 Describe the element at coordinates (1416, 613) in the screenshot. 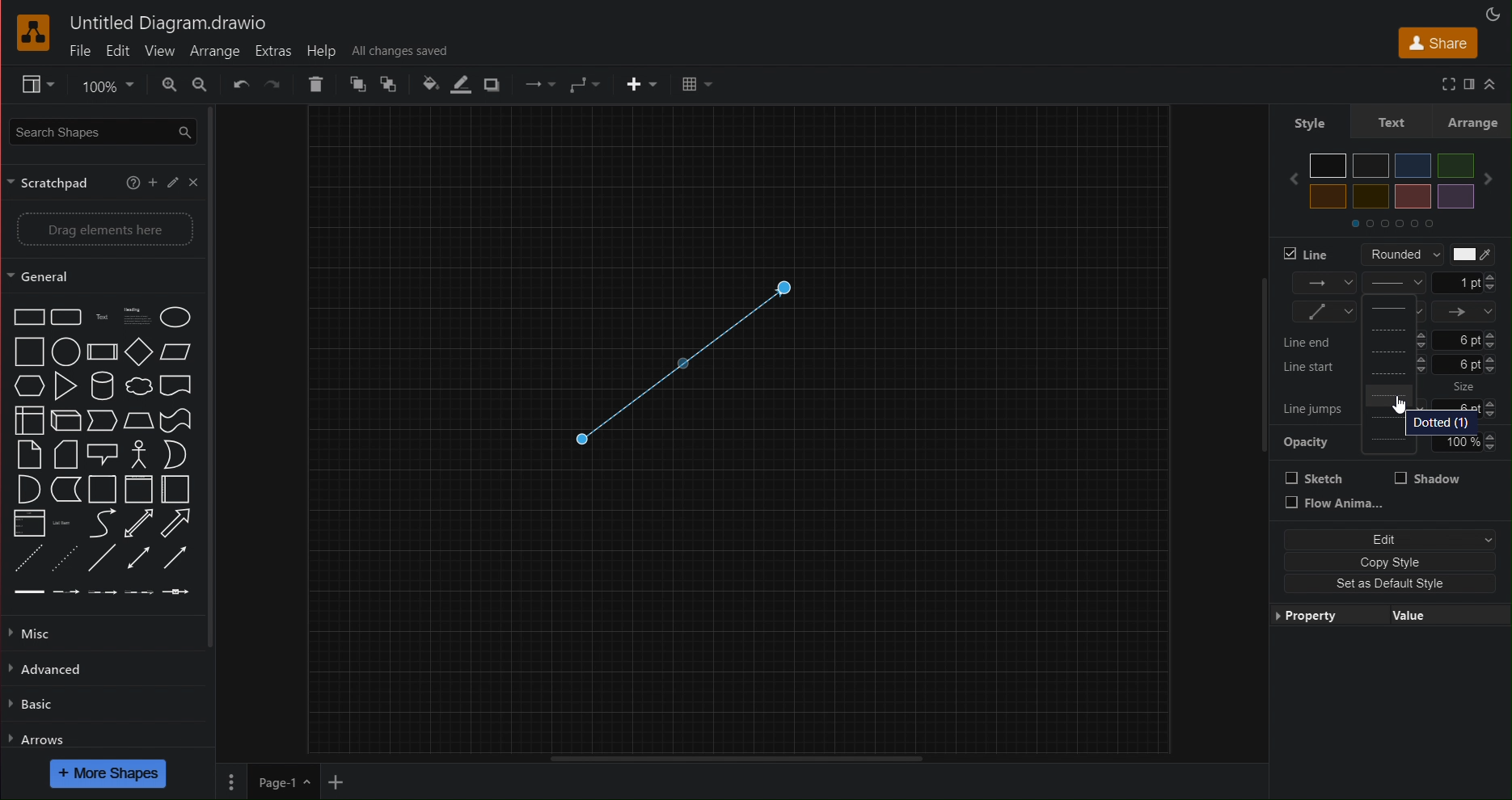

I see `Value` at that location.